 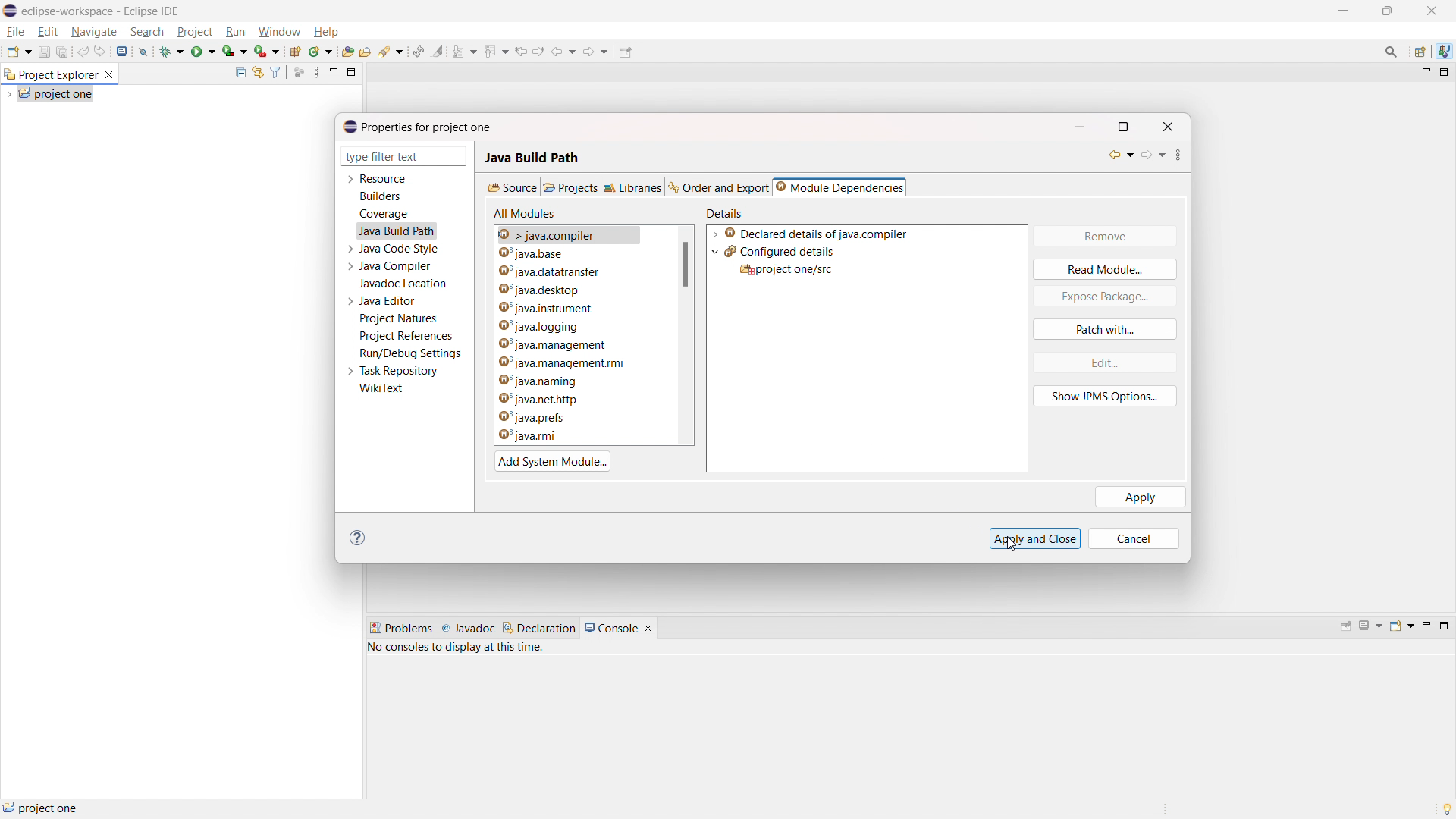 I want to click on use last tool, so click(x=266, y=52).